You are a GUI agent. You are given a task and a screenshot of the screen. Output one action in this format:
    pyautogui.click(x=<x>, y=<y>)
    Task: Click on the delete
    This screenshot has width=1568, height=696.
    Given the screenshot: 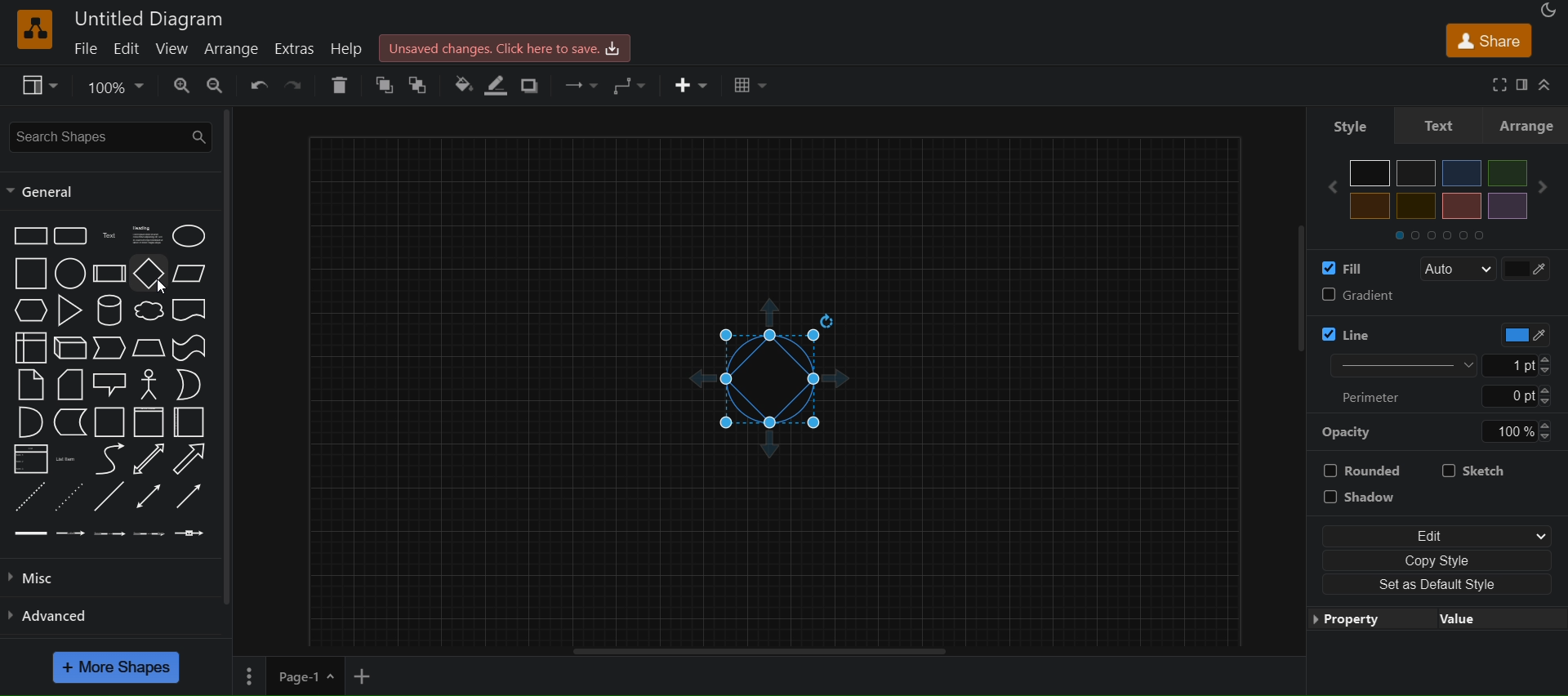 What is the action you would take?
    pyautogui.click(x=340, y=85)
    